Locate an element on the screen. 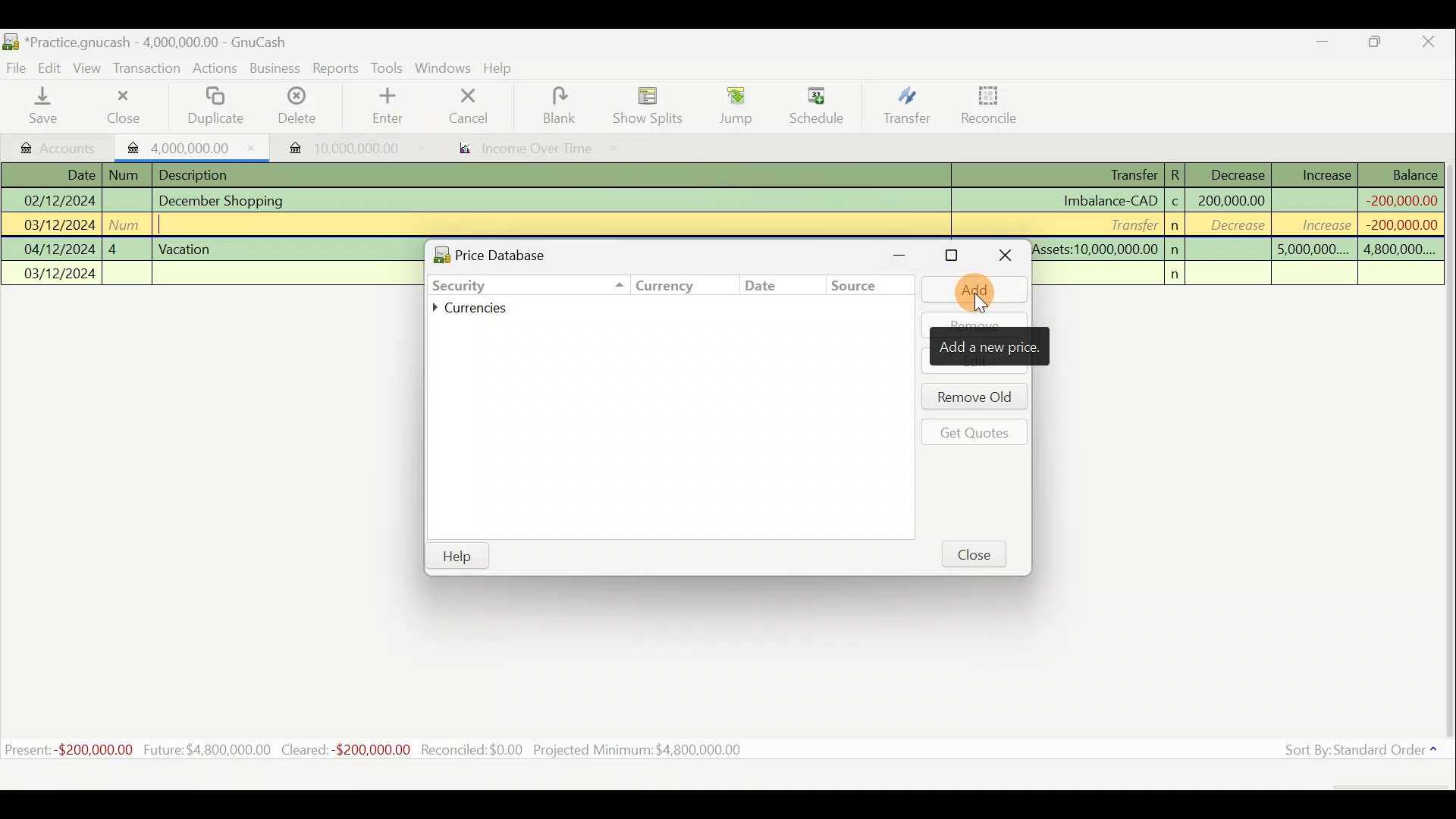 This screenshot has width=1456, height=819. n is located at coordinates (1177, 226).